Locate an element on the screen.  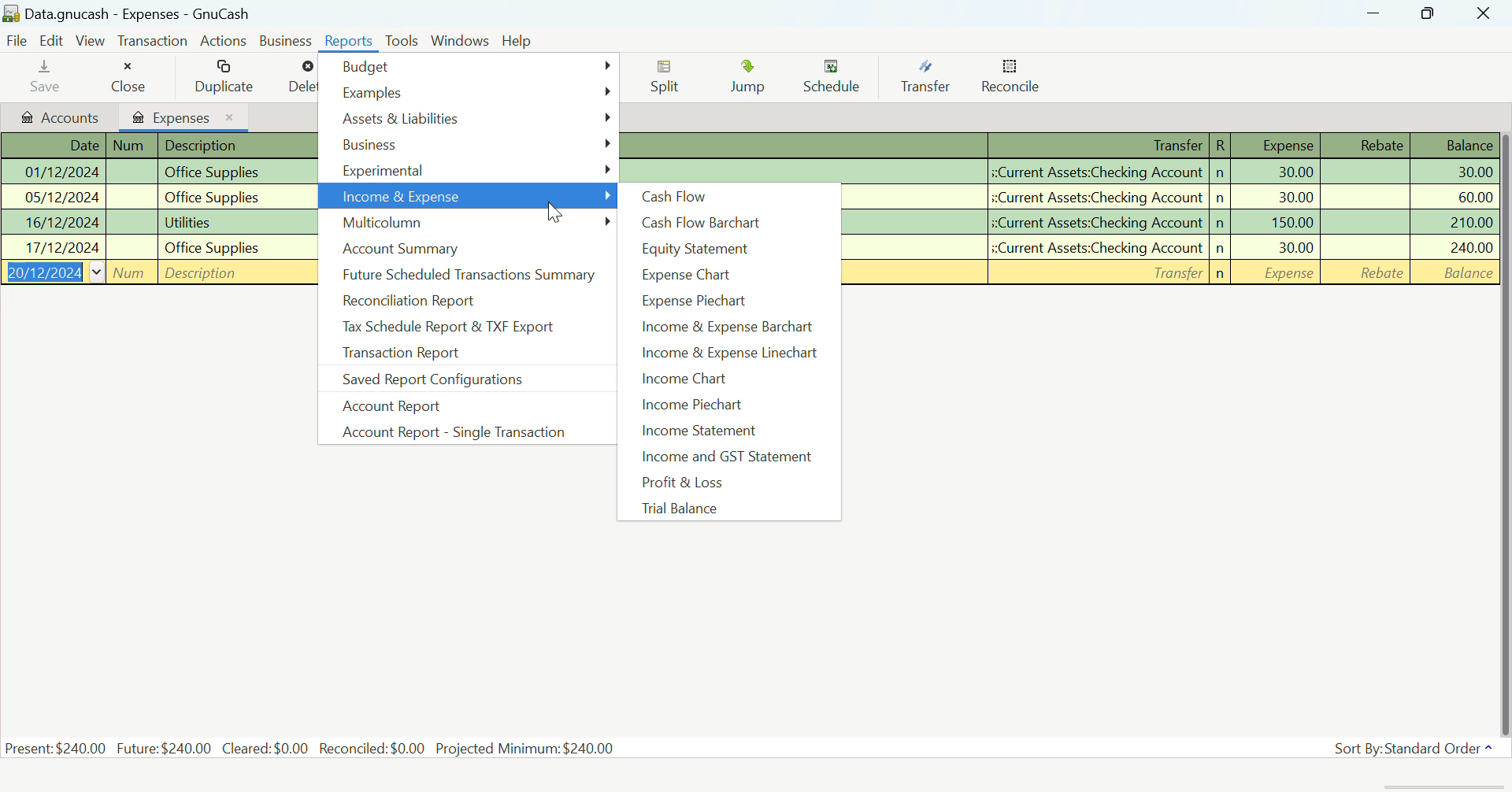
Office Supplies is located at coordinates (1173, 199).